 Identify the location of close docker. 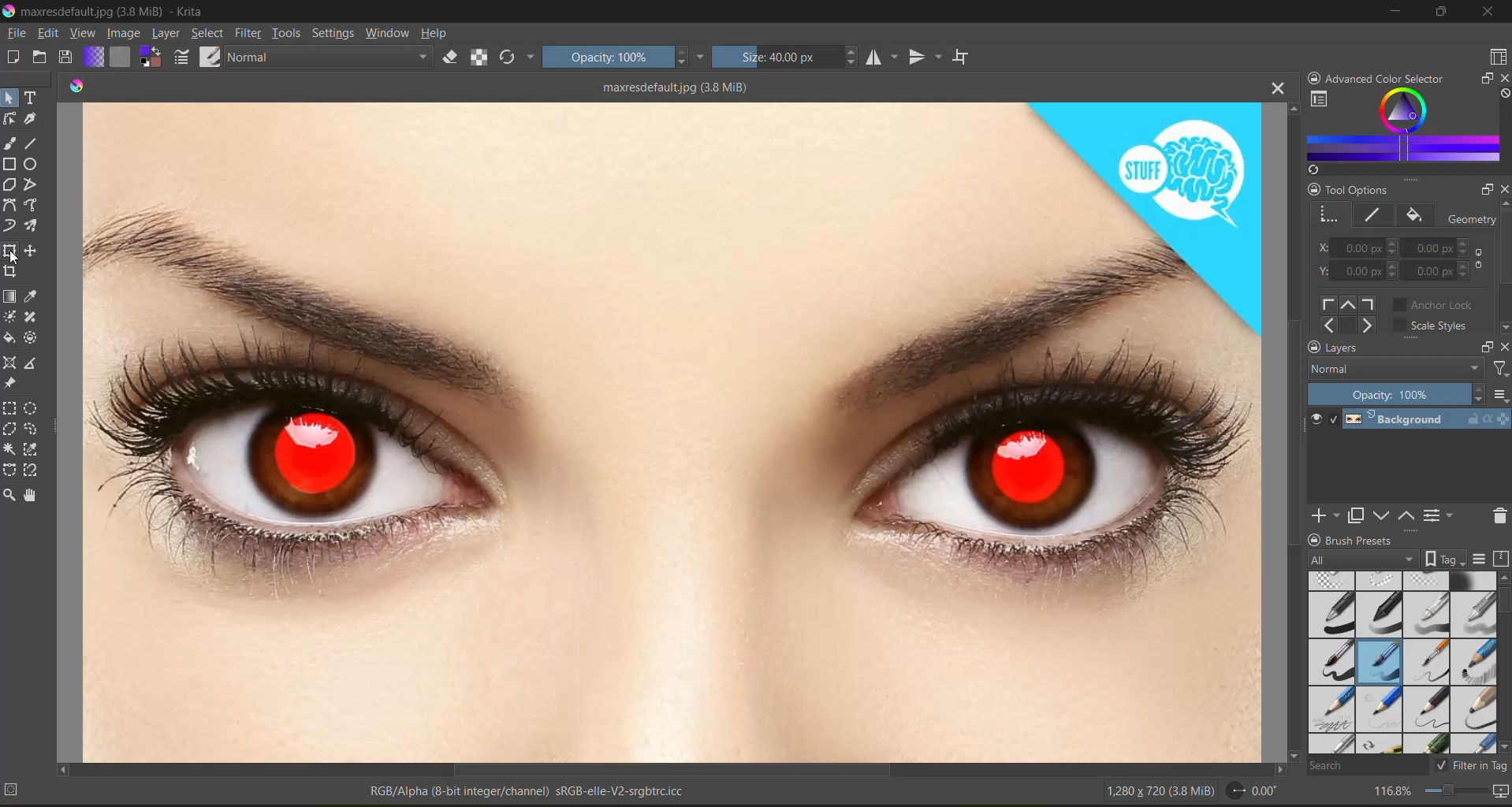
(1503, 351).